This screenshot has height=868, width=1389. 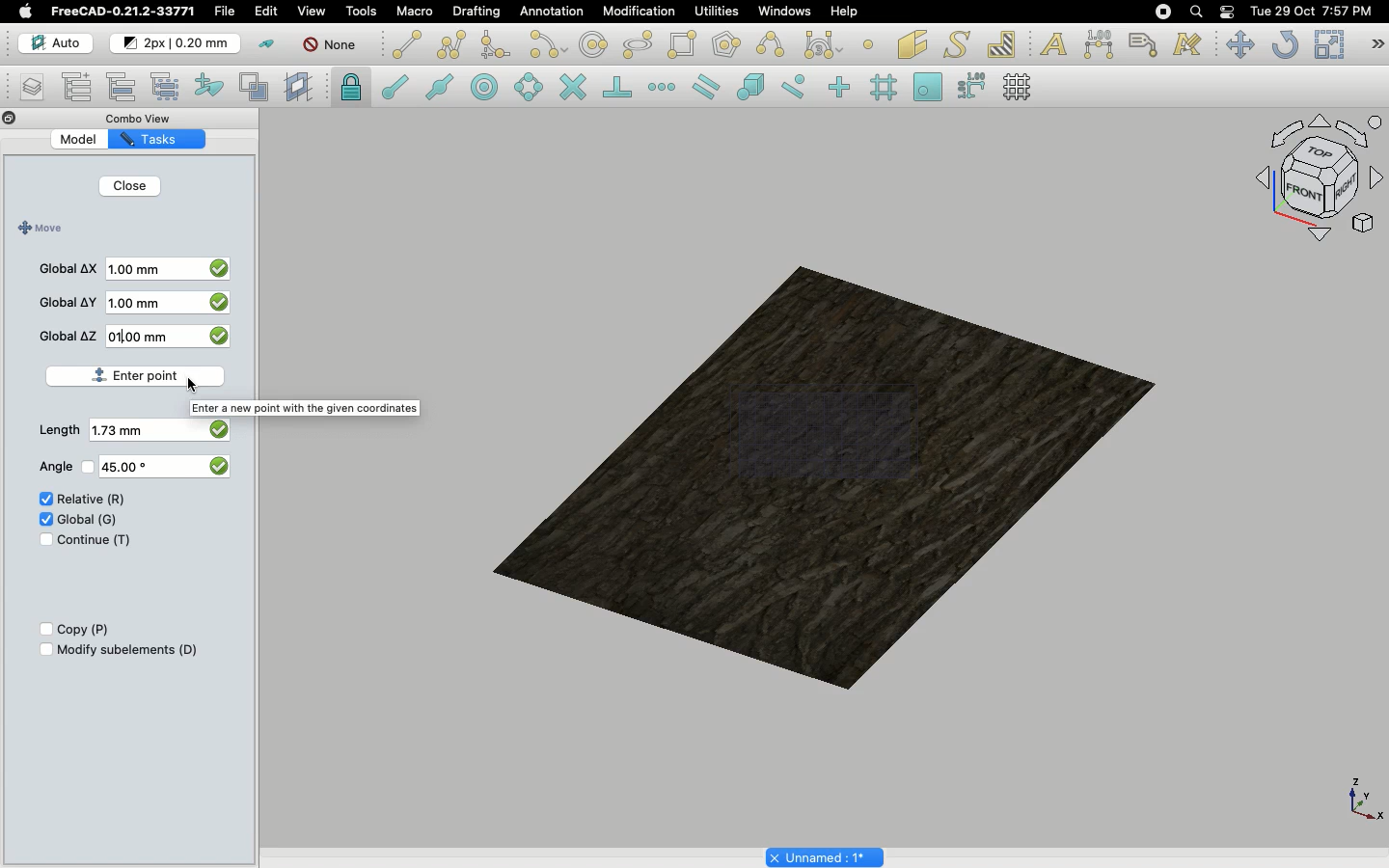 I want to click on Tools, so click(x=361, y=12).